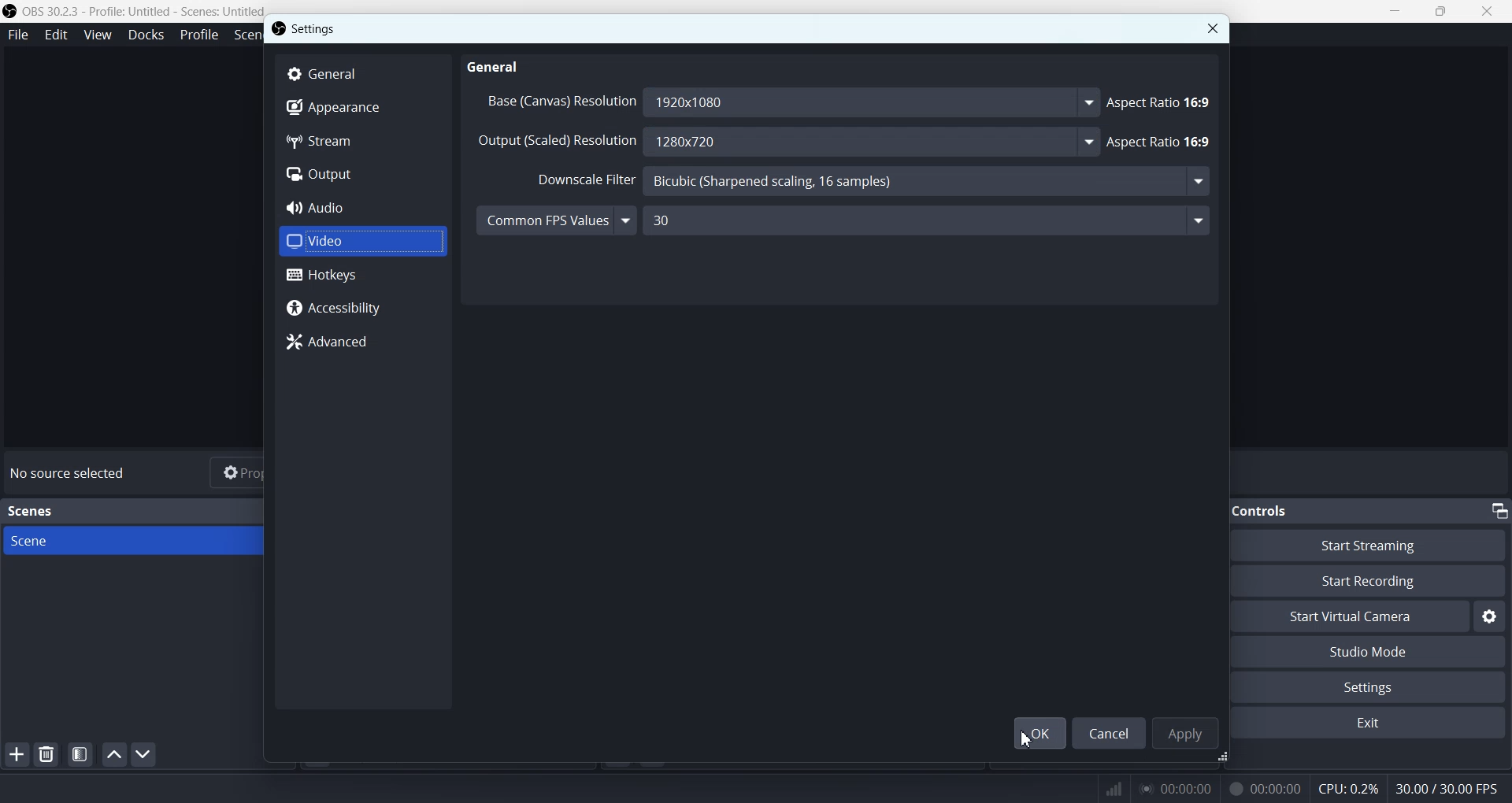  Describe the element at coordinates (1272, 510) in the screenshot. I see `Text` at that location.